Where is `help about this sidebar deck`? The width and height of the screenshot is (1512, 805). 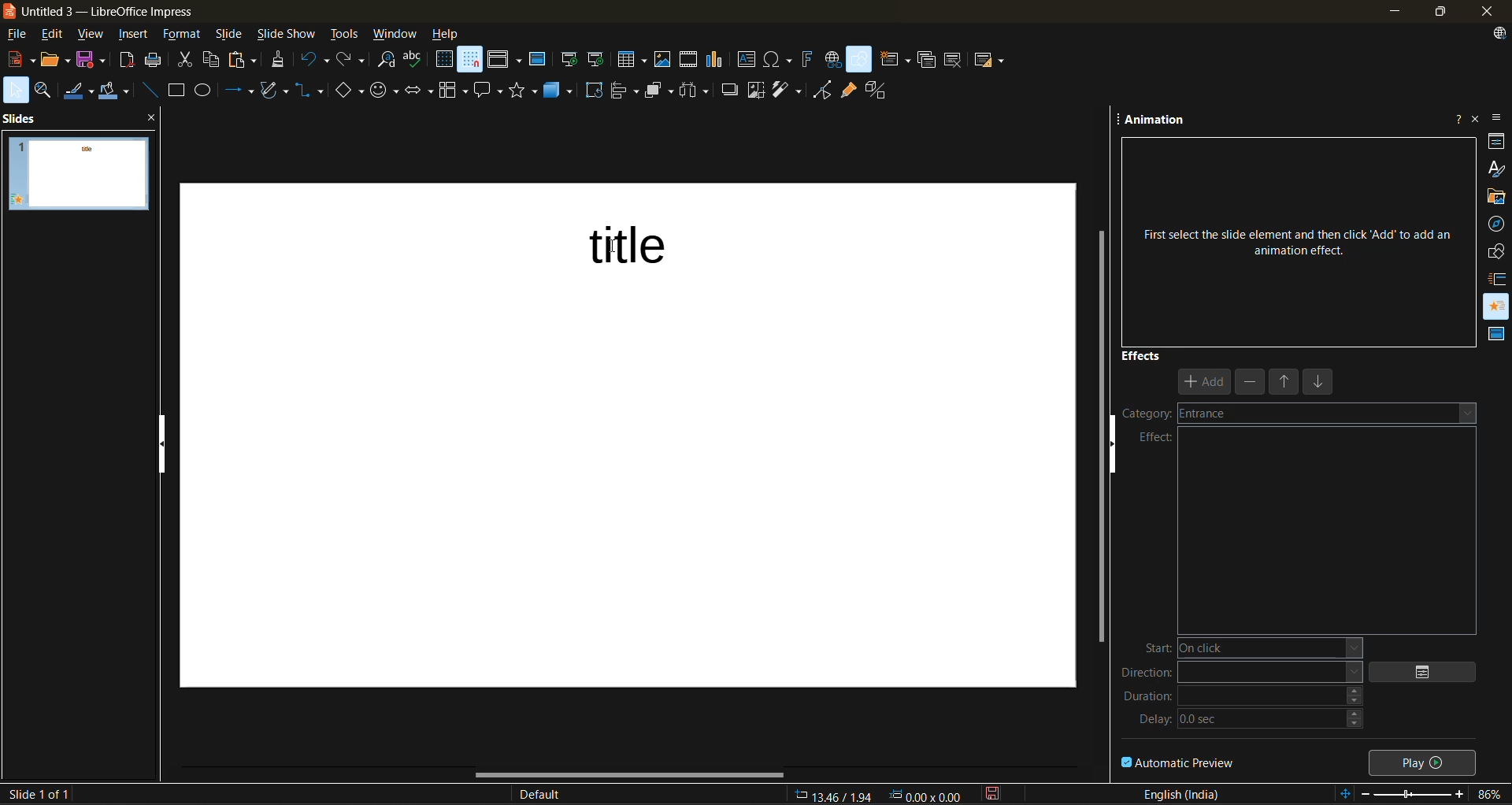
help about this sidebar deck is located at coordinates (1458, 116).